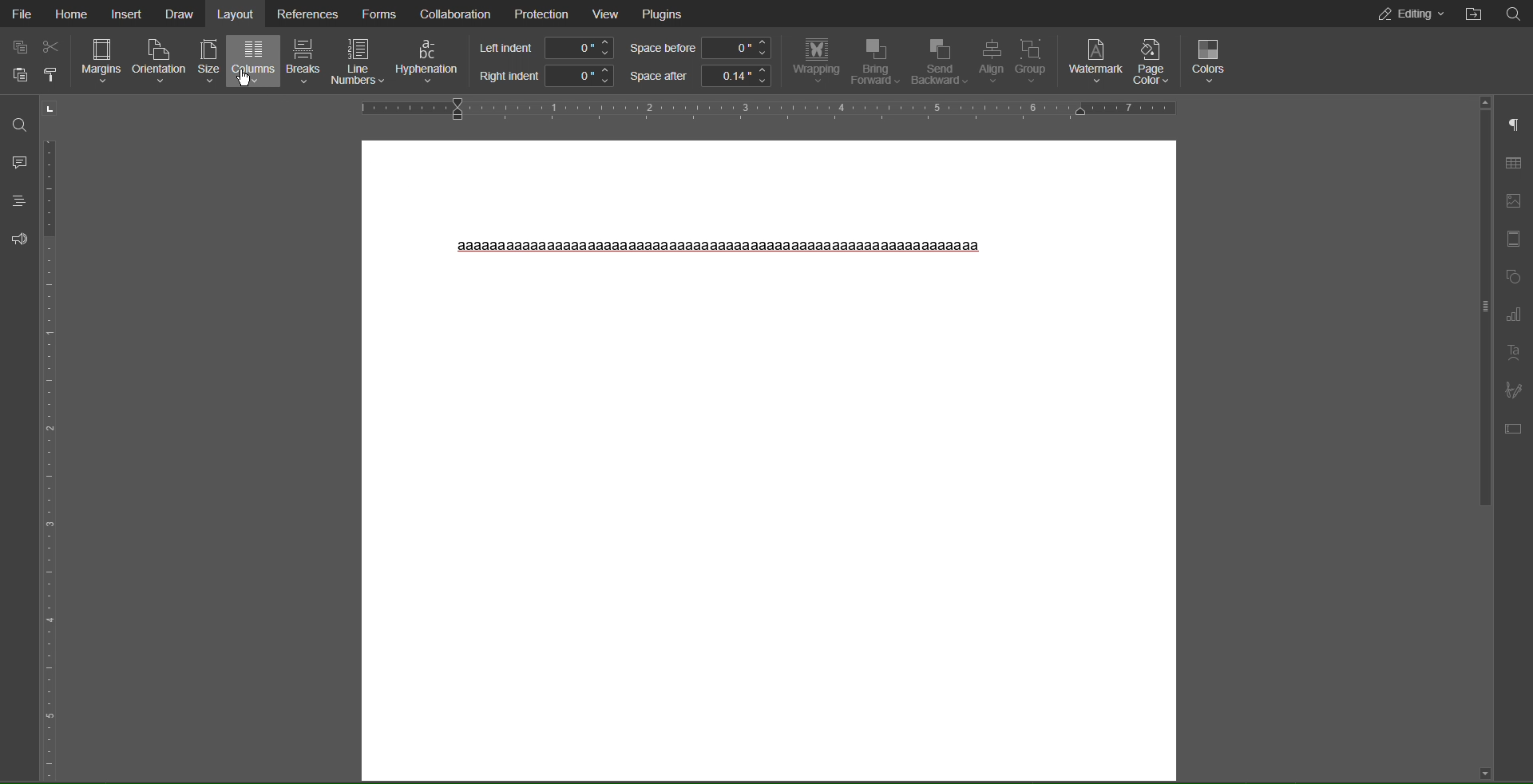 The height and width of the screenshot is (784, 1533). I want to click on Left Indents, so click(543, 48).